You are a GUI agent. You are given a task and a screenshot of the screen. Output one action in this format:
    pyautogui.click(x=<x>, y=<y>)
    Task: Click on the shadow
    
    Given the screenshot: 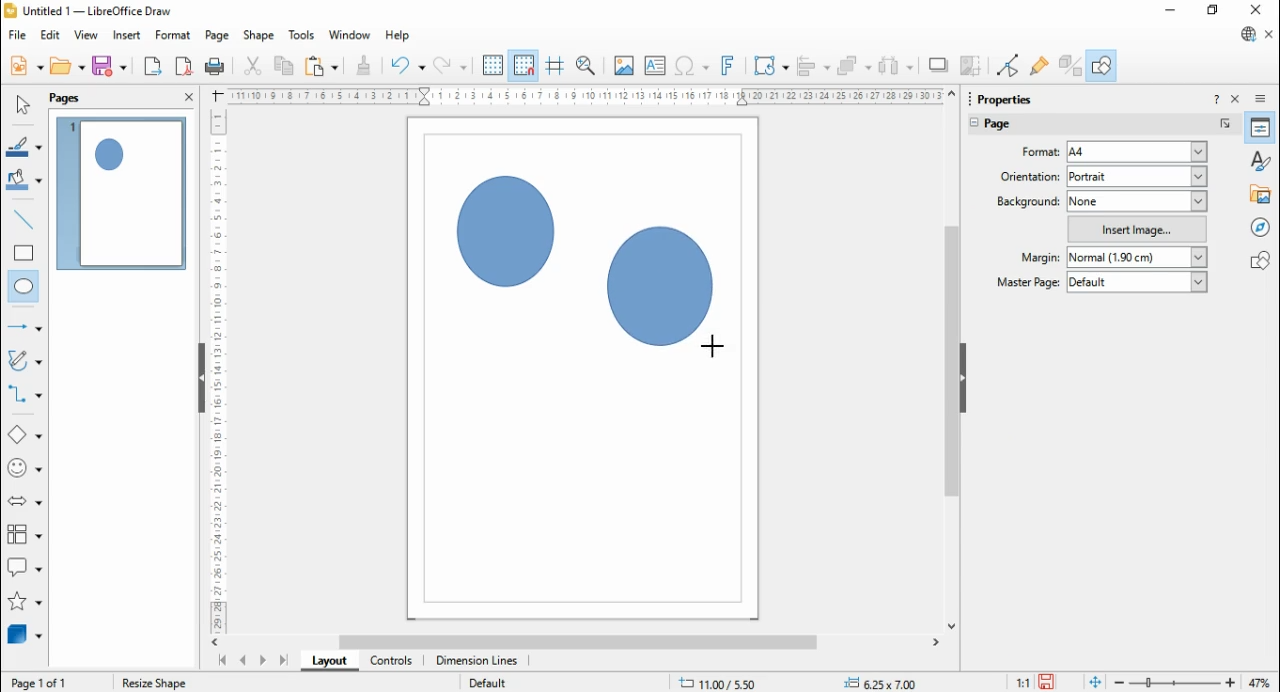 What is the action you would take?
    pyautogui.click(x=939, y=65)
    